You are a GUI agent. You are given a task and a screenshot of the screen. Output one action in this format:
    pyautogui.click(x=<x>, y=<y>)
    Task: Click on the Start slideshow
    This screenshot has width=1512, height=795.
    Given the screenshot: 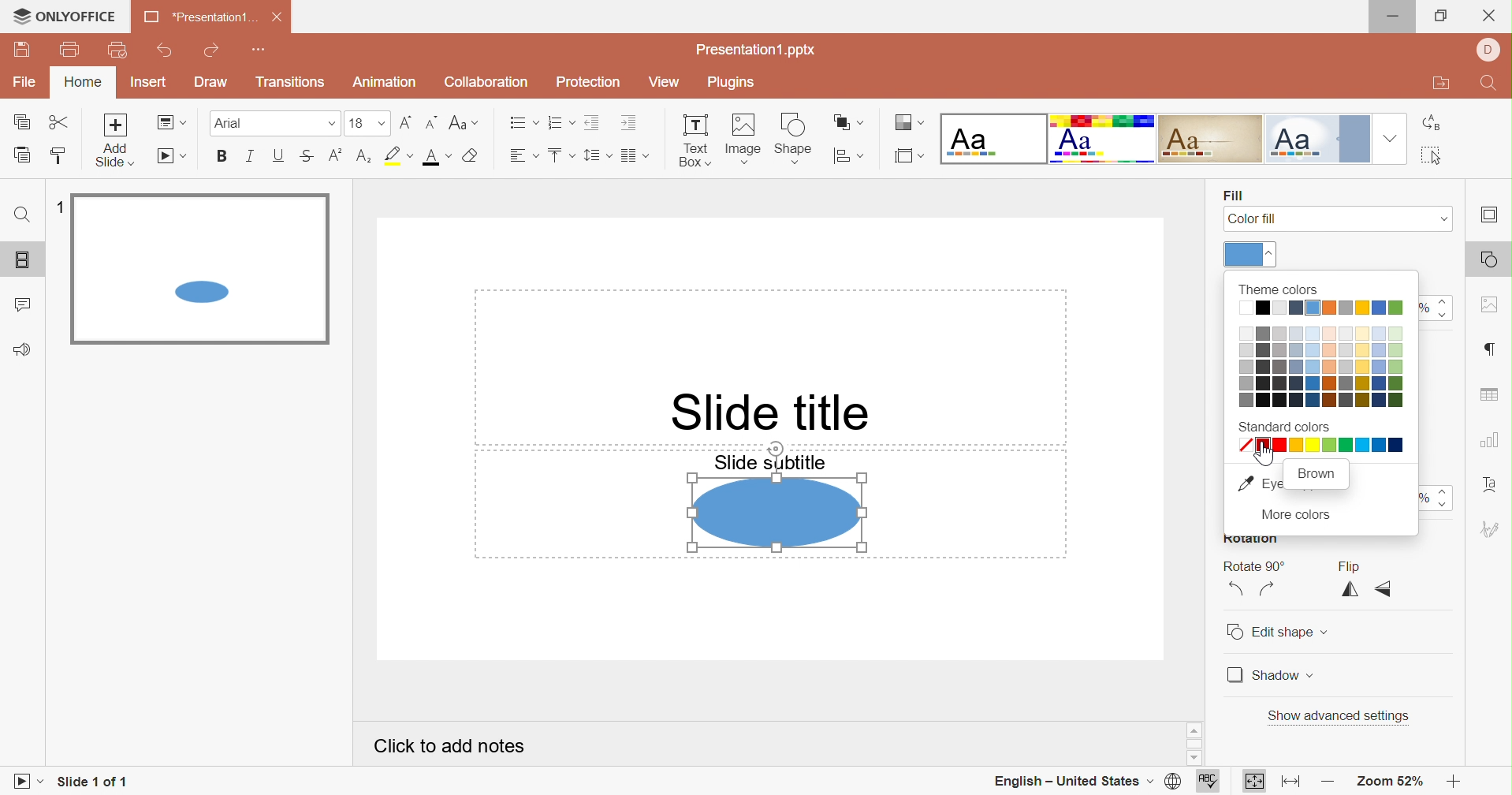 What is the action you would take?
    pyautogui.click(x=29, y=780)
    